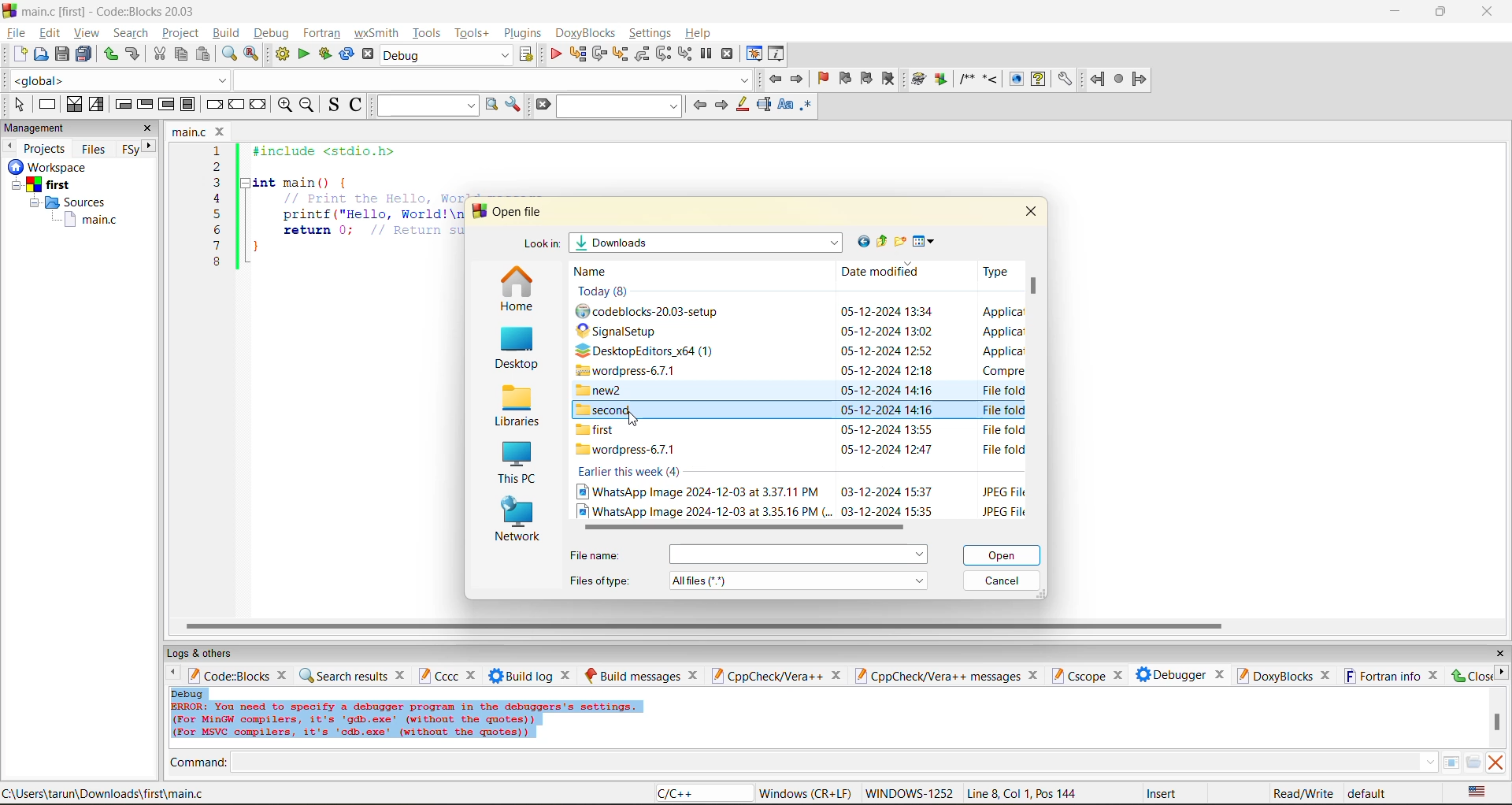 Image resolution: width=1512 pixels, height=805 pixels. What do you see at coordinates (1441, 10) in the screenshot?
I see `resize` at bounding box center [1441, 10].